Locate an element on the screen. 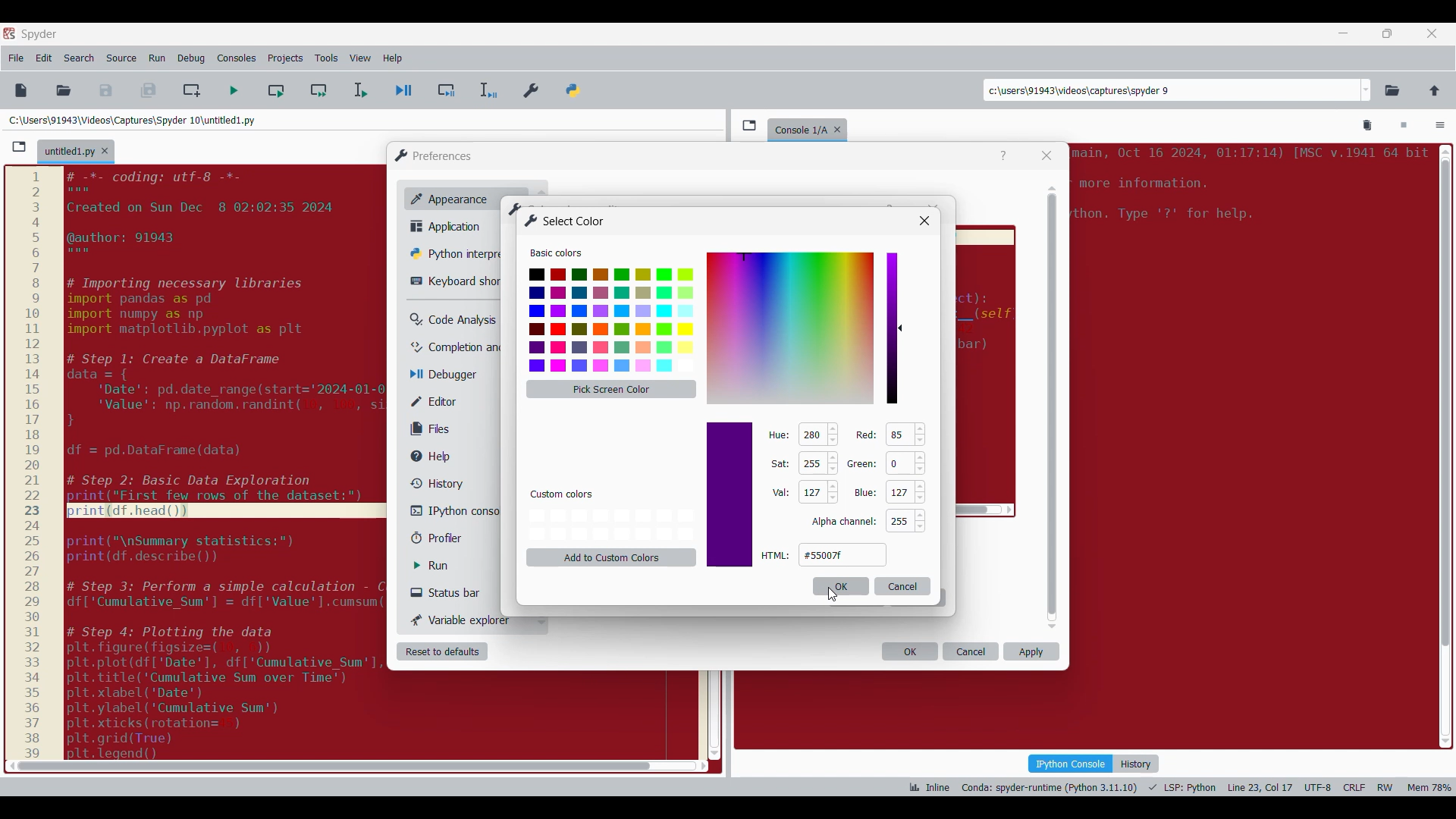  Completion and linting is located at coordinates (456, 347).